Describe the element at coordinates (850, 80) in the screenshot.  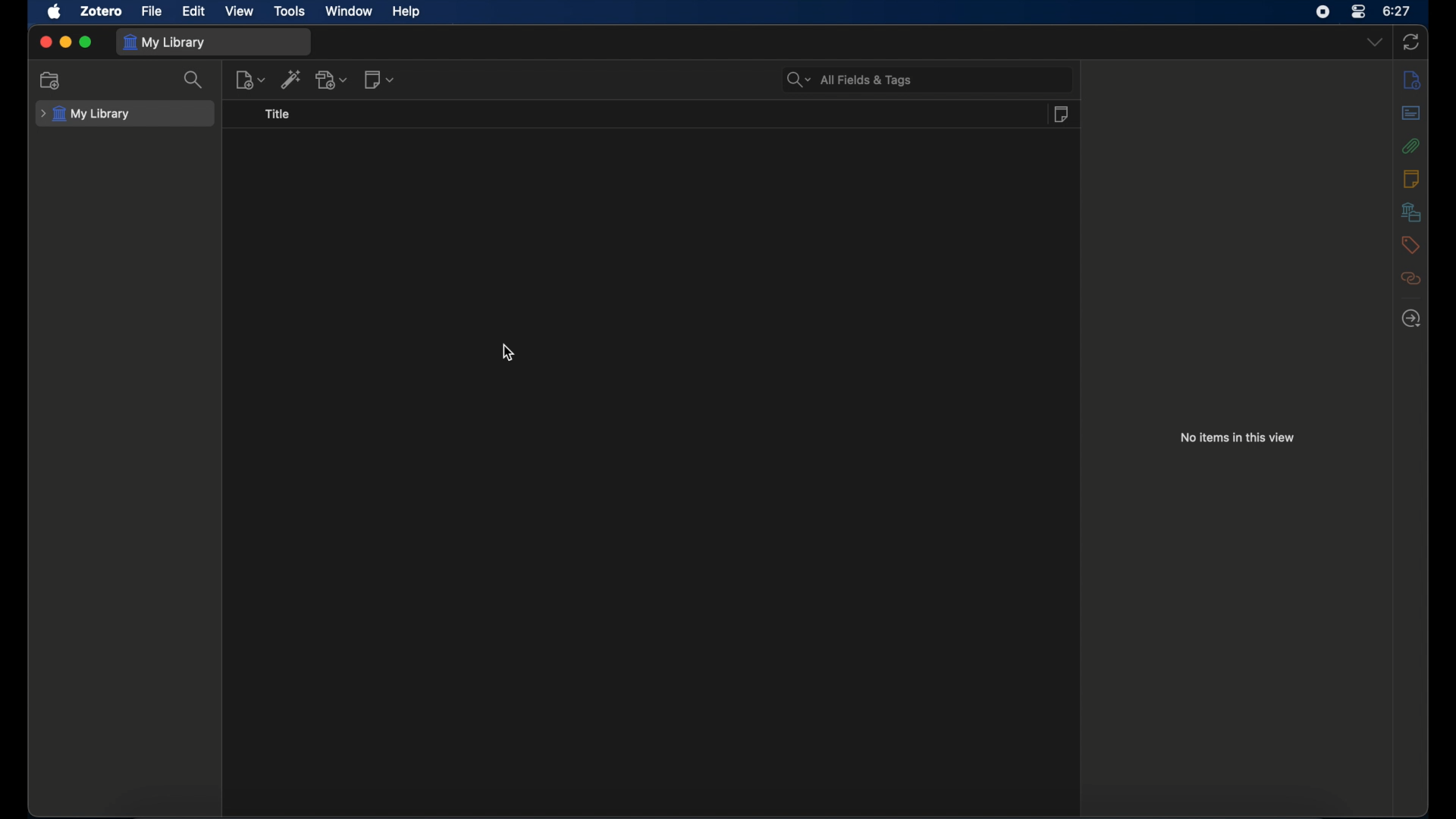
I see `search bar` at that location.